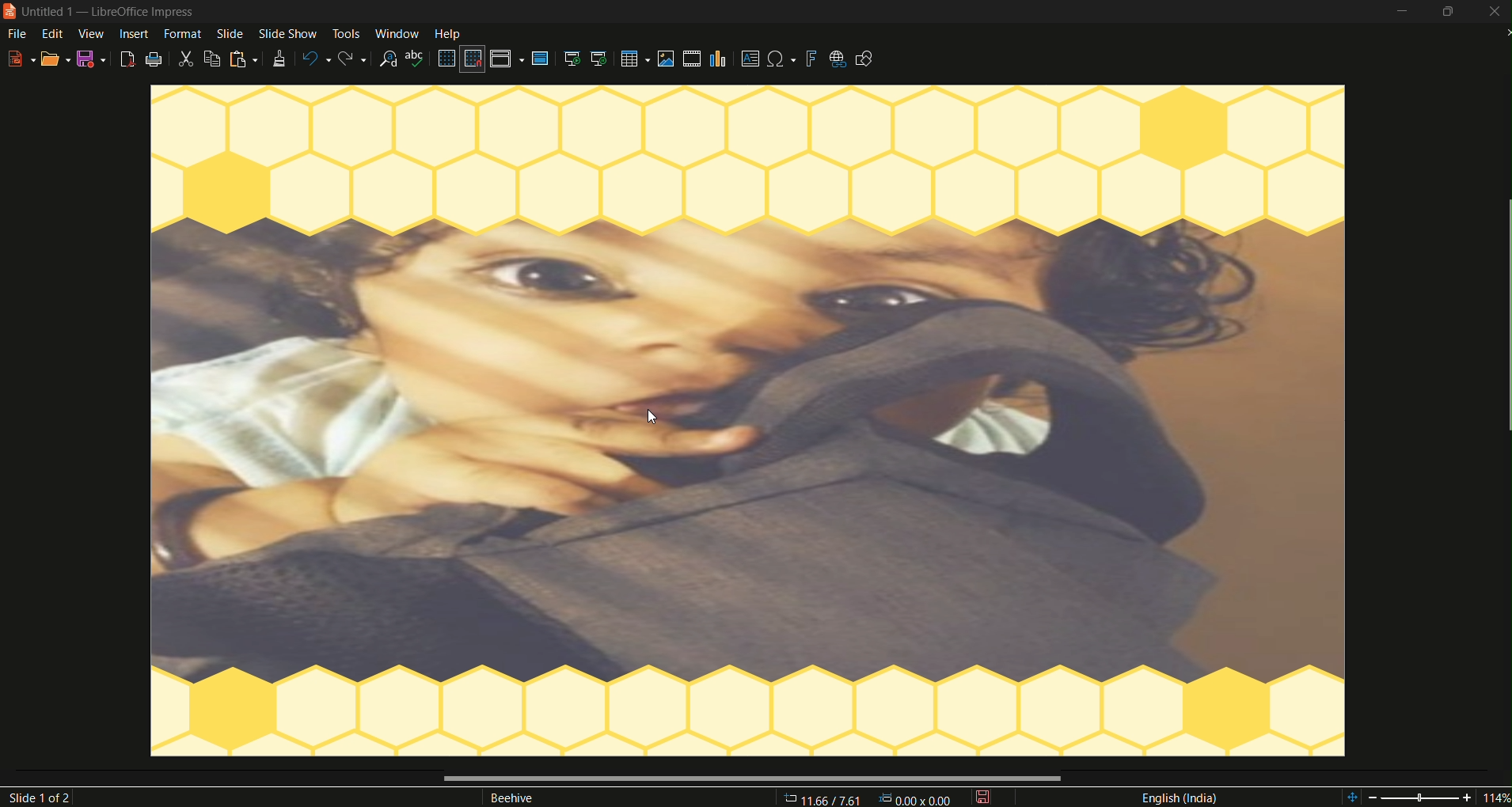 The width and height of the screenshot is (1512, 807). What do you see at coordinates (720, 59) in the screenshot?
I see `insert chart` at bounding box center [720, 59].